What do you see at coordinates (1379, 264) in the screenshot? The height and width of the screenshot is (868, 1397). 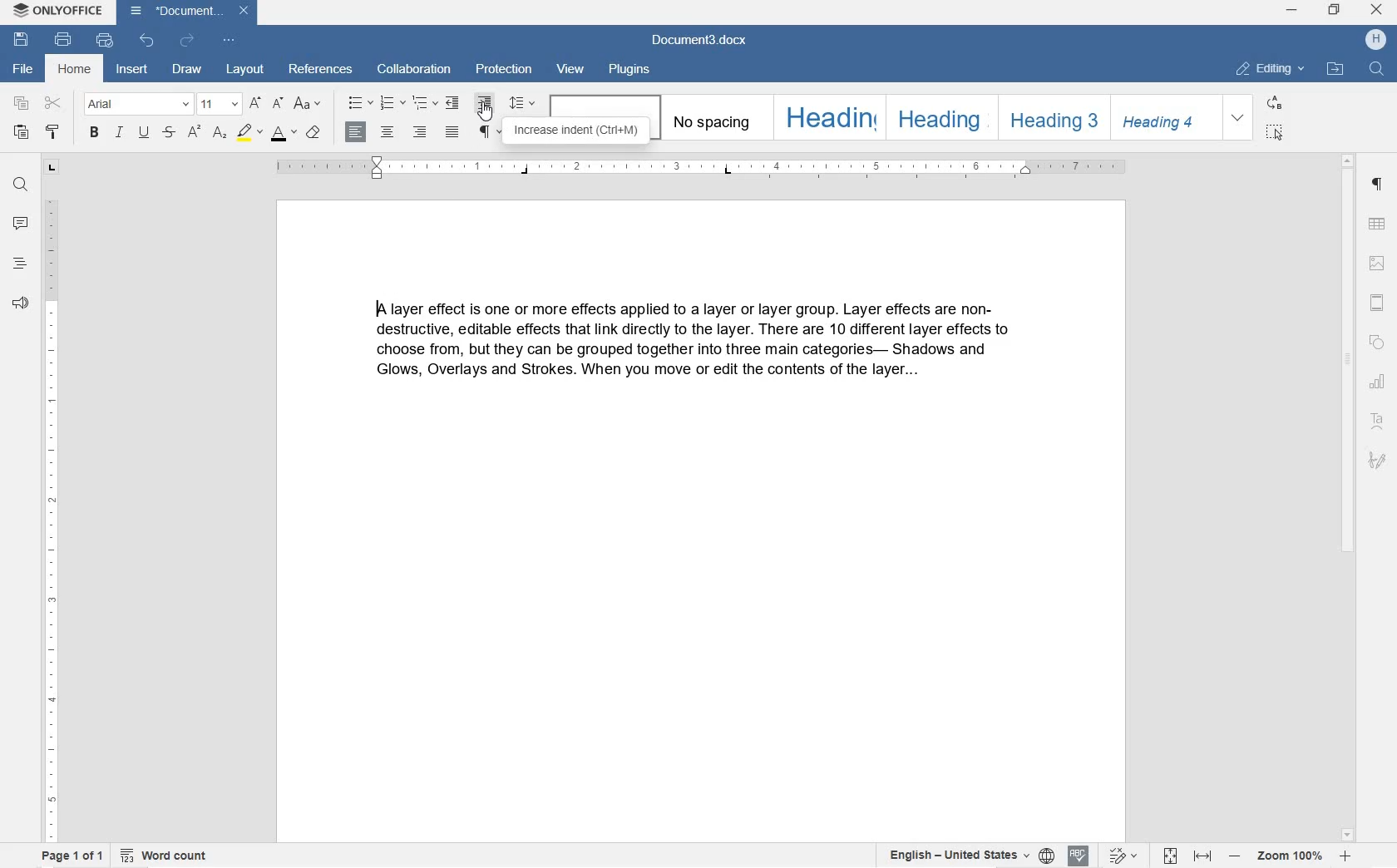 I see `IMAGE` at bounding box center [1379, 264].